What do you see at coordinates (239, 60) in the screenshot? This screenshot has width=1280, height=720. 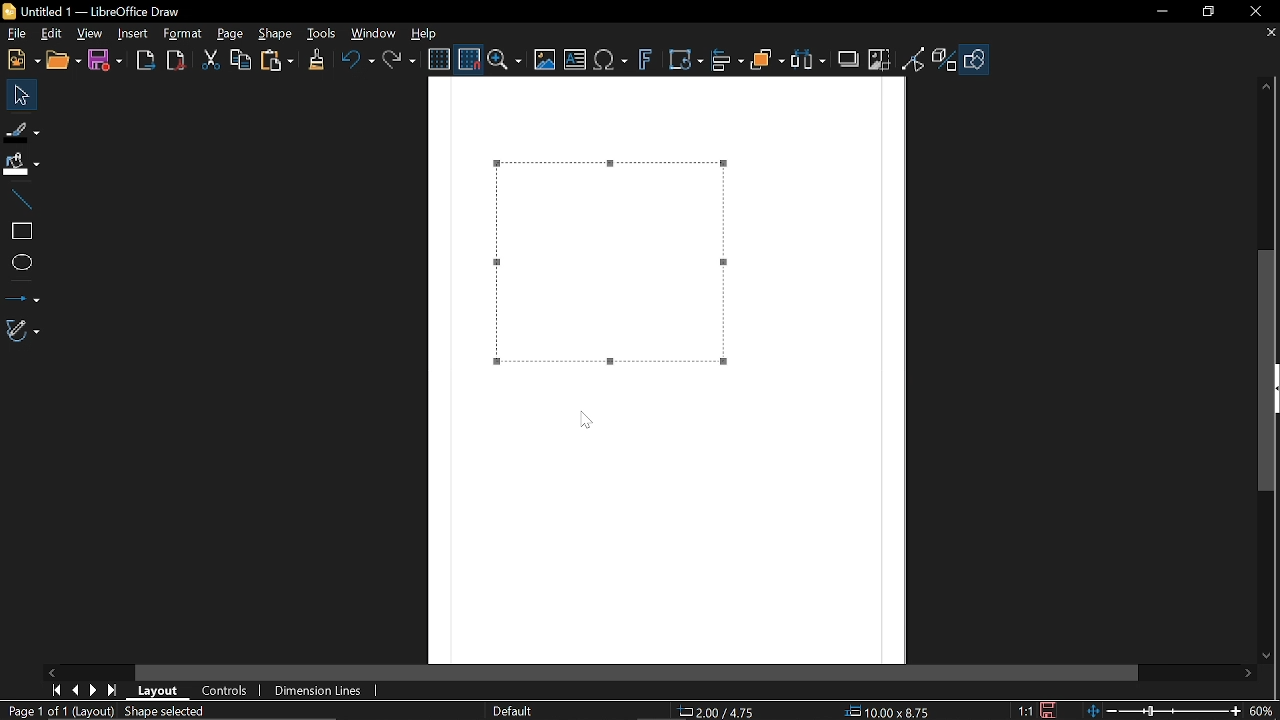 I see `Copy` at bounding box center [239, 60].